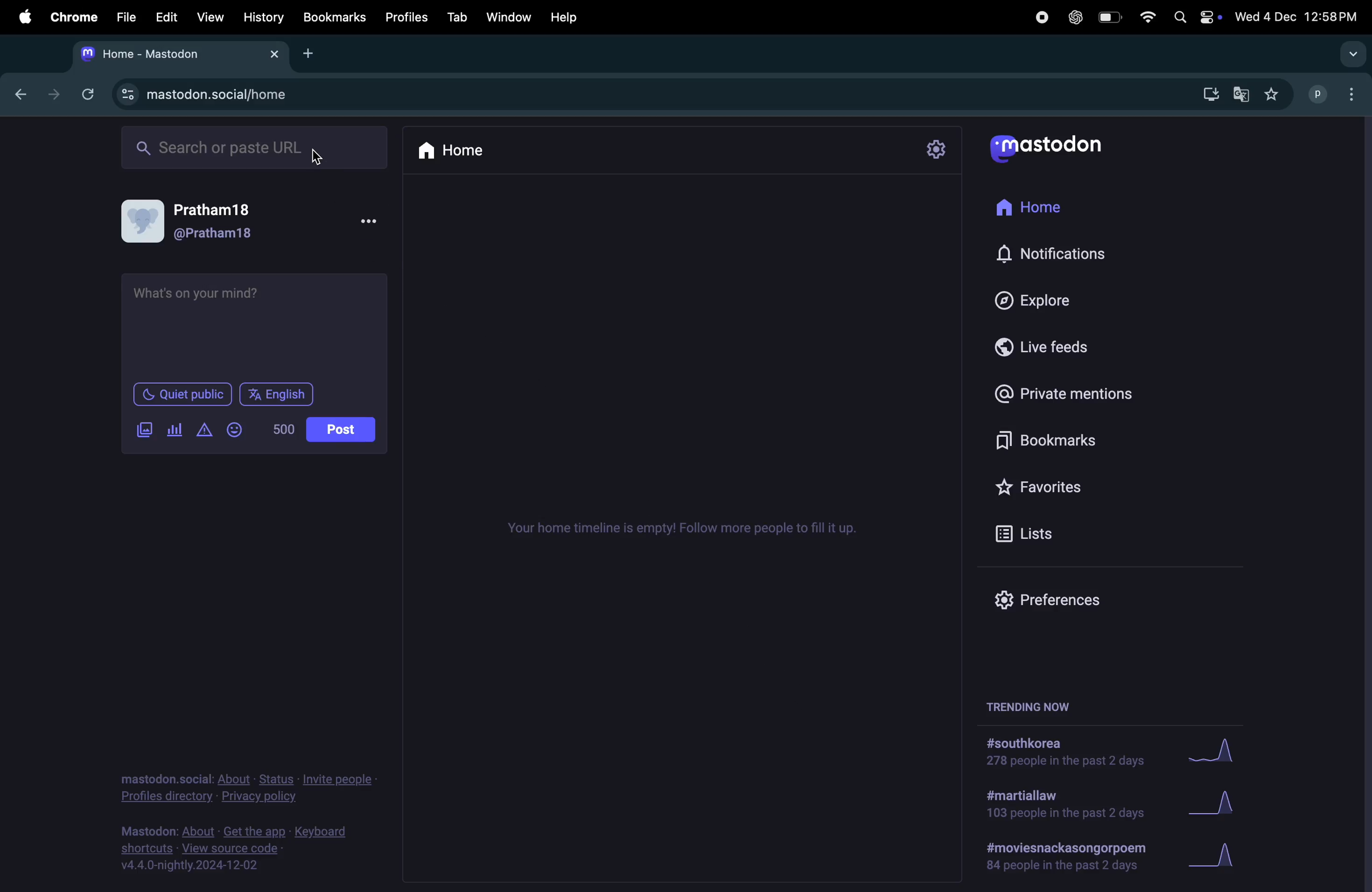 This screenshot has width=1372, height=892. Describe the element at coordinates (1041, 17) in the screenshot. I see `record` at that location.